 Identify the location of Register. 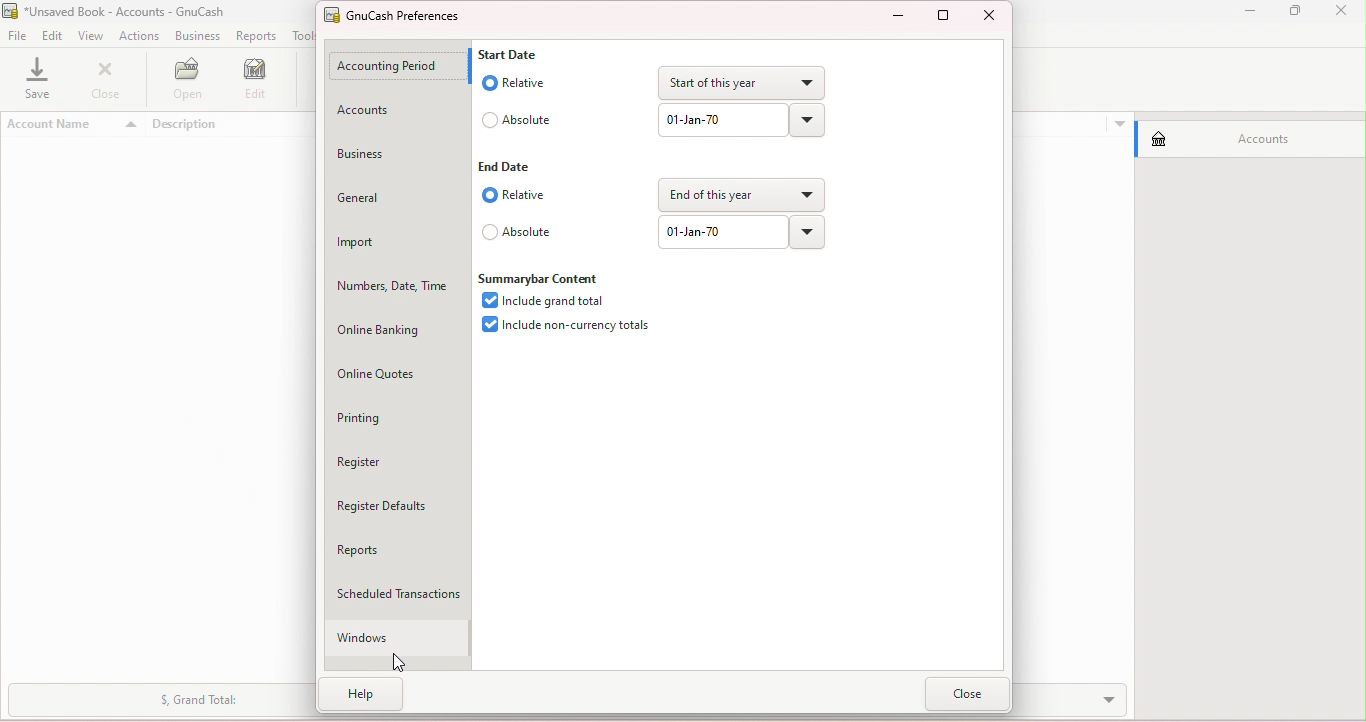
(401, 459).